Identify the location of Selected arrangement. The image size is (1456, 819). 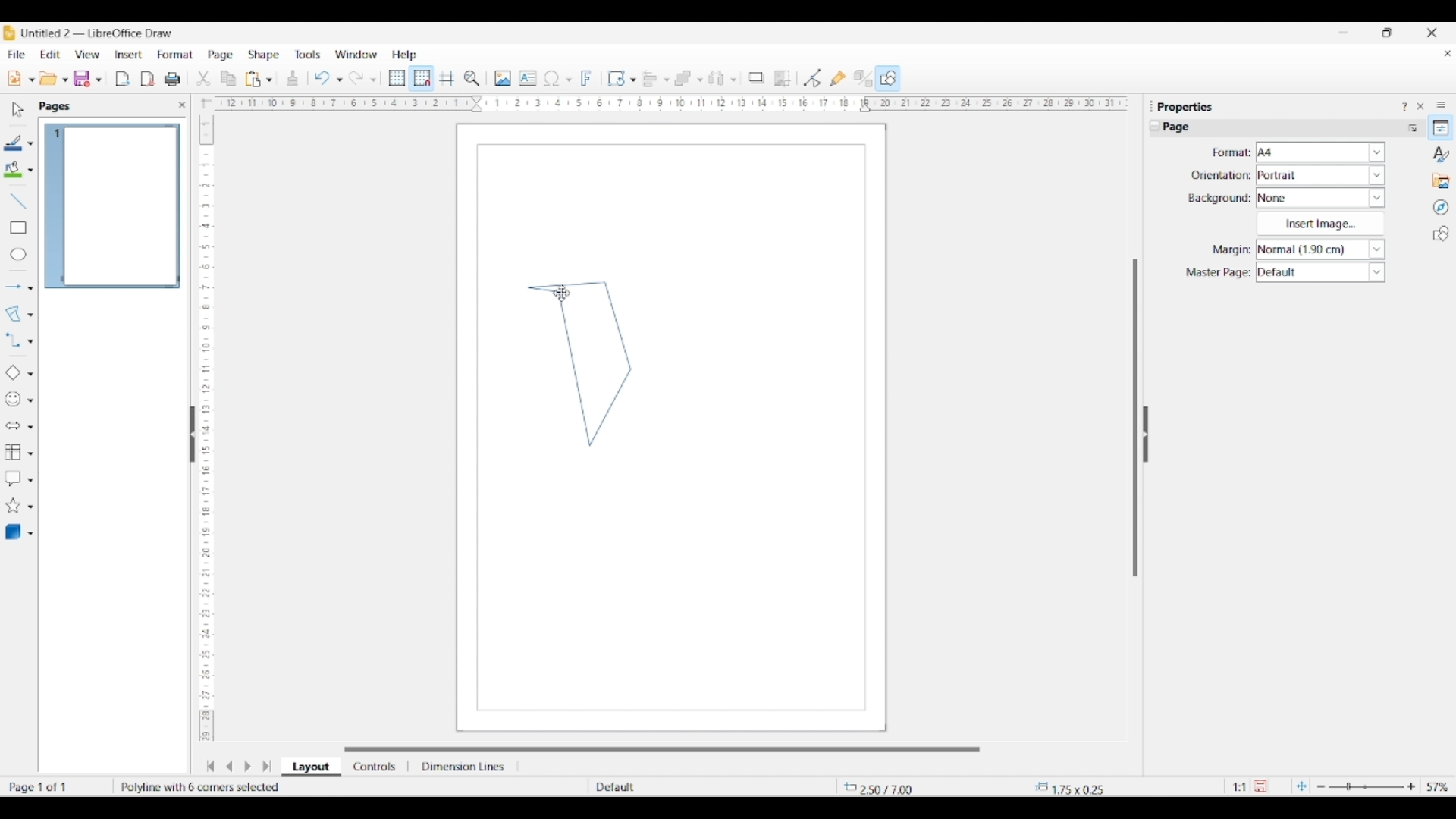
(683, 79).